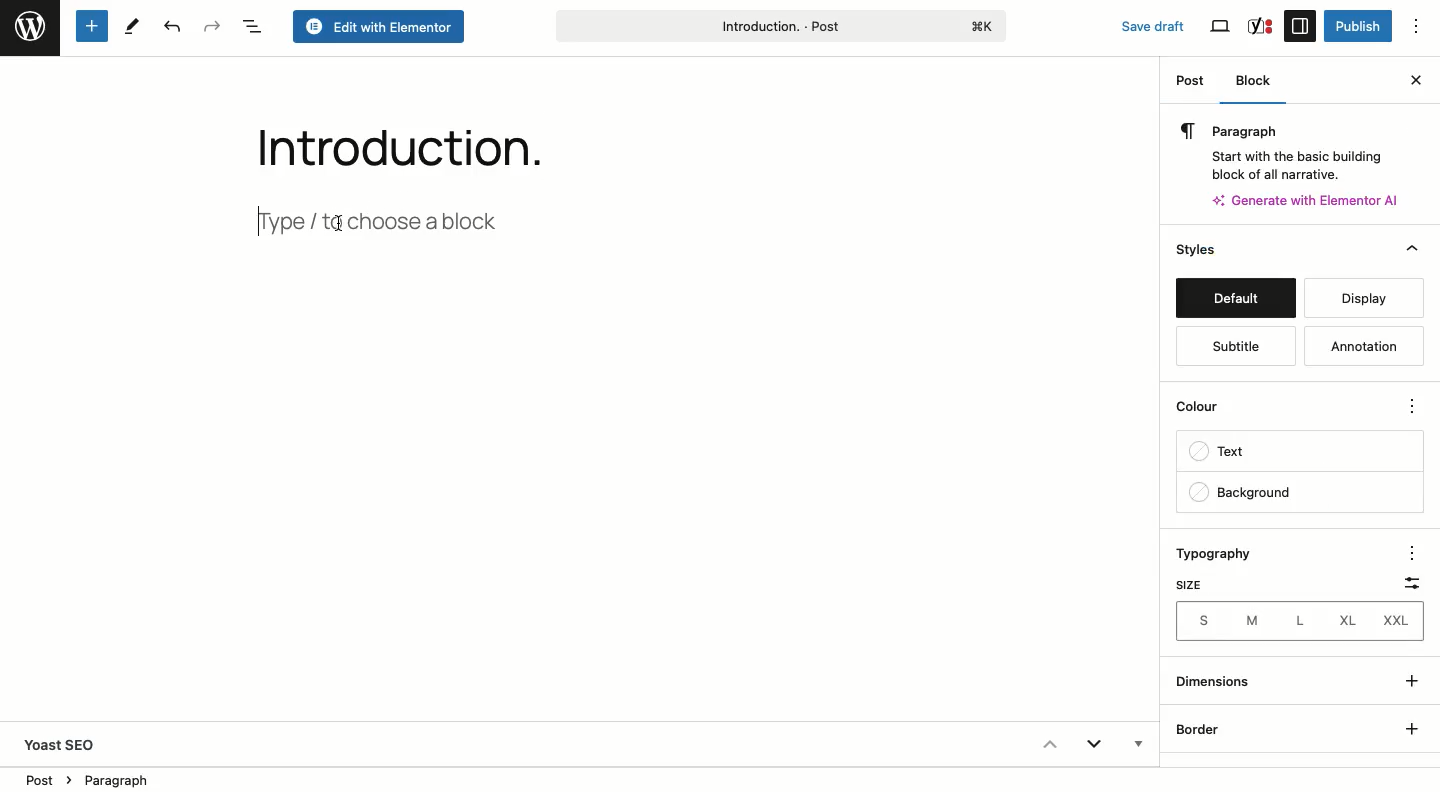 This screenshot has height=792, width=1440. What do you see at coordinates (170, 28) in the screenshot?
I see `Undo` at bounding box center [170, 28].